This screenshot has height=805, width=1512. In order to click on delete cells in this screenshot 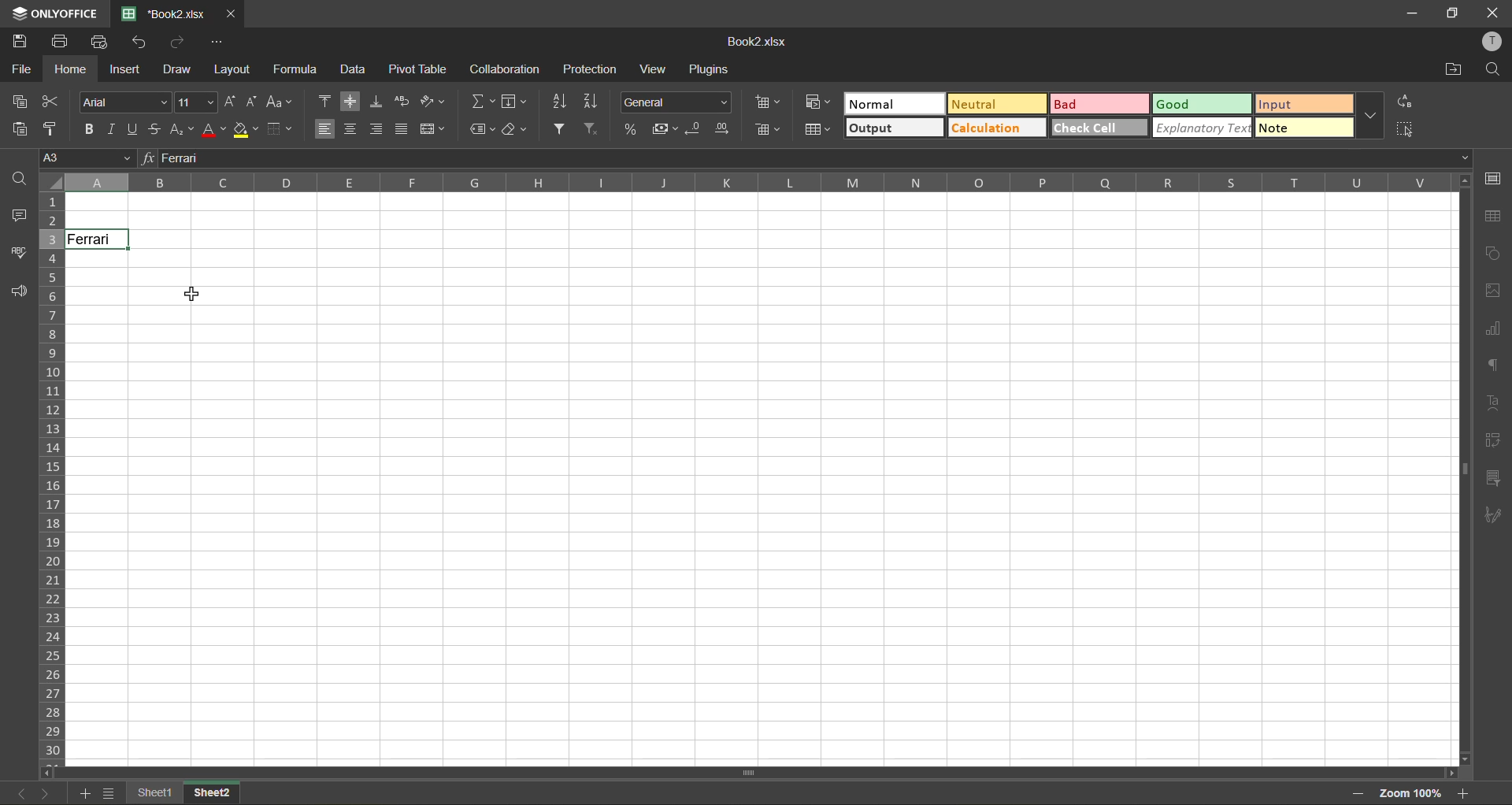, I will do `click(765, 129)`.